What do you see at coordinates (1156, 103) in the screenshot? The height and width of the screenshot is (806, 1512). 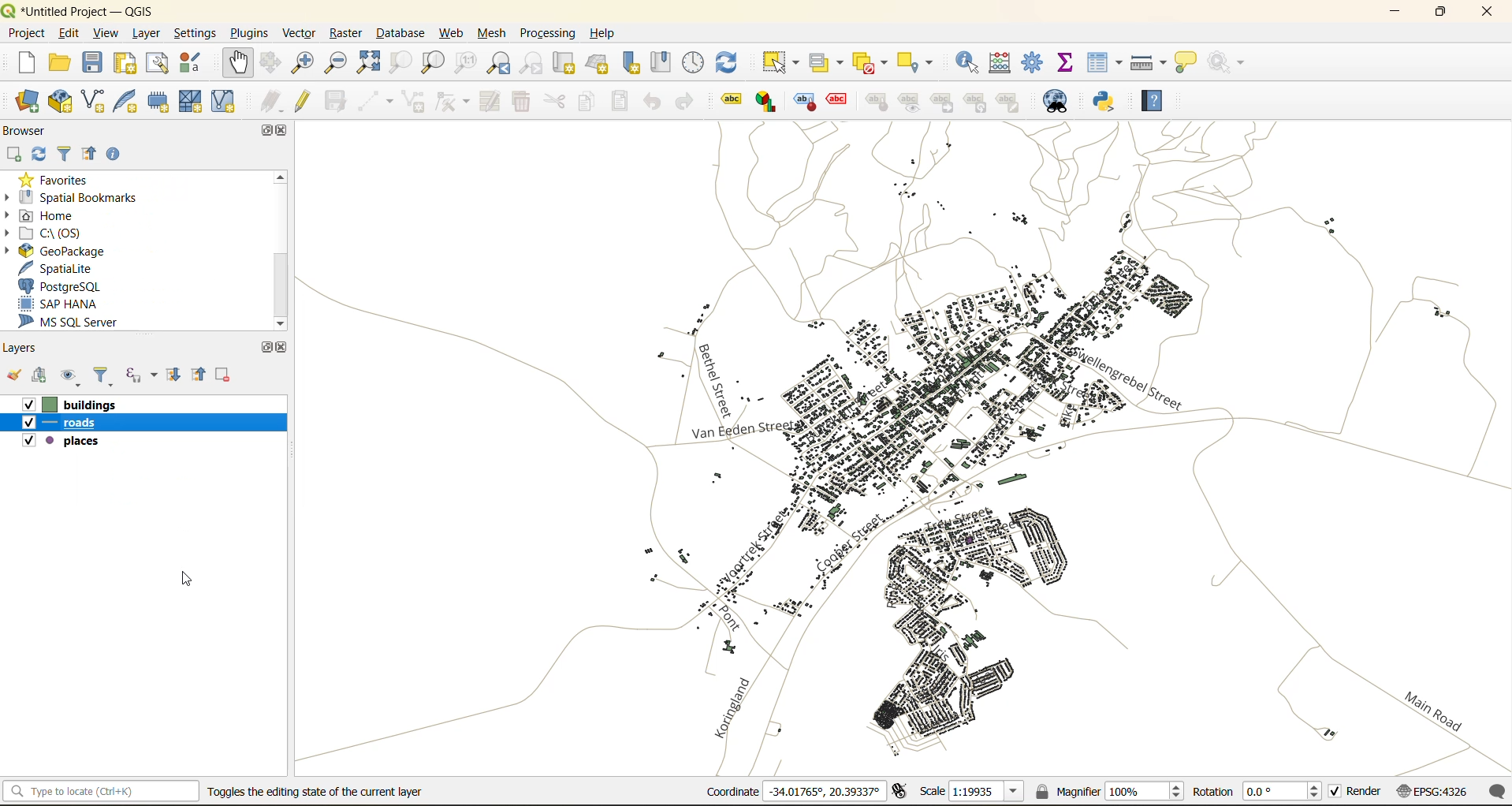 I see `help` at bounding box center [1156, 103].